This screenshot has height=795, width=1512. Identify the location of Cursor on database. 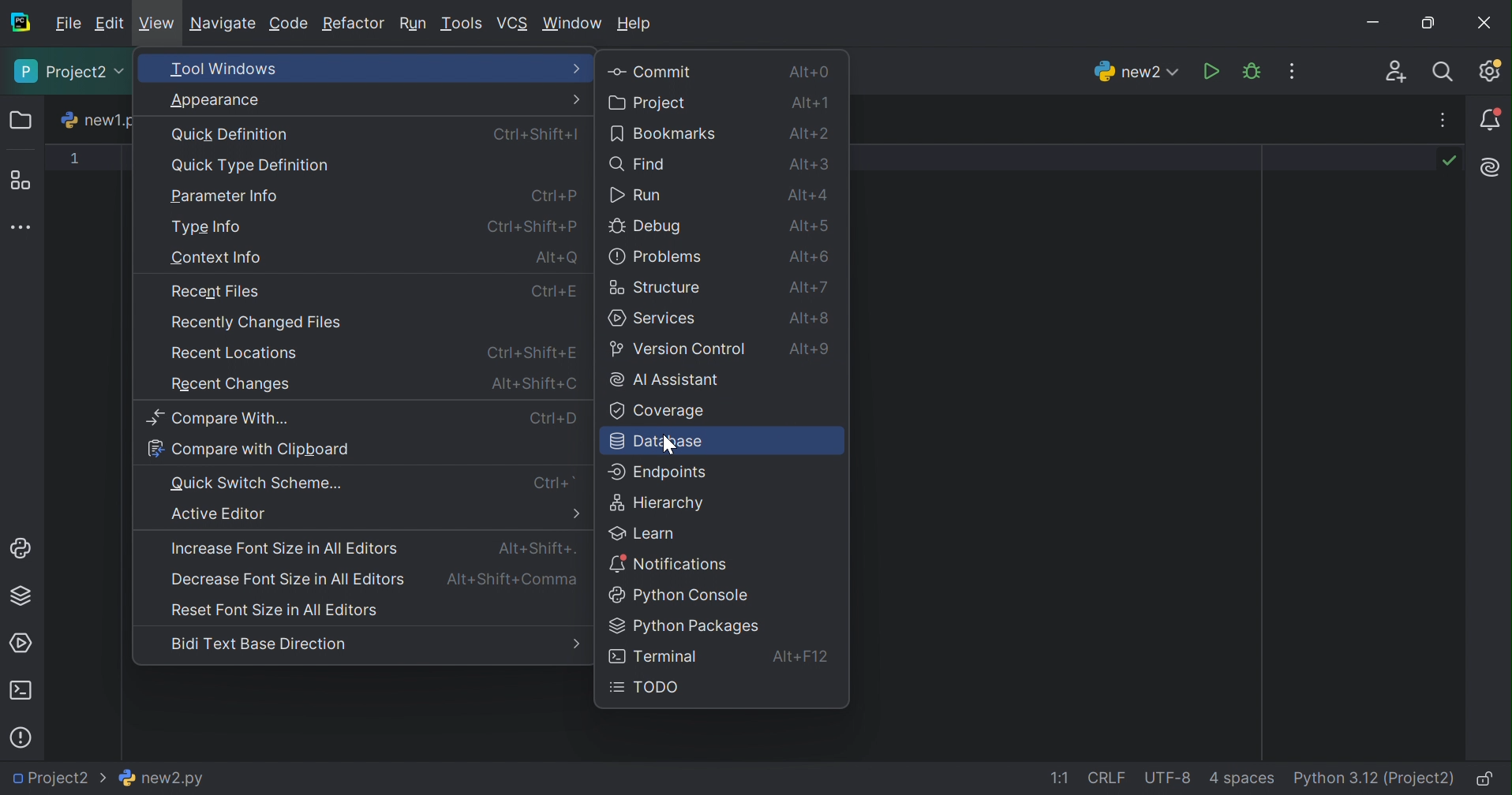
(673, 445).